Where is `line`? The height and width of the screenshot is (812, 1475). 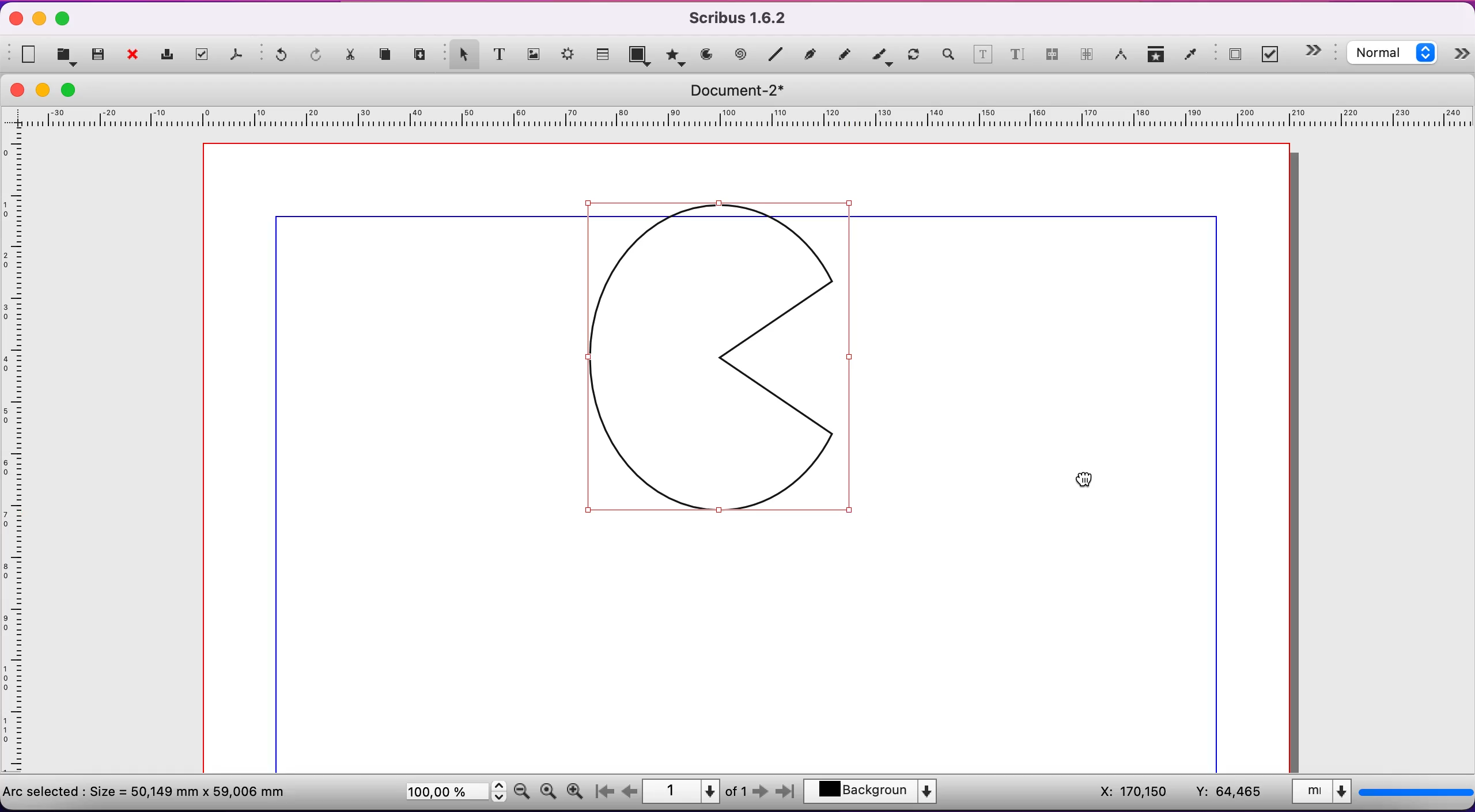 line is located at coordinates (776, 55).